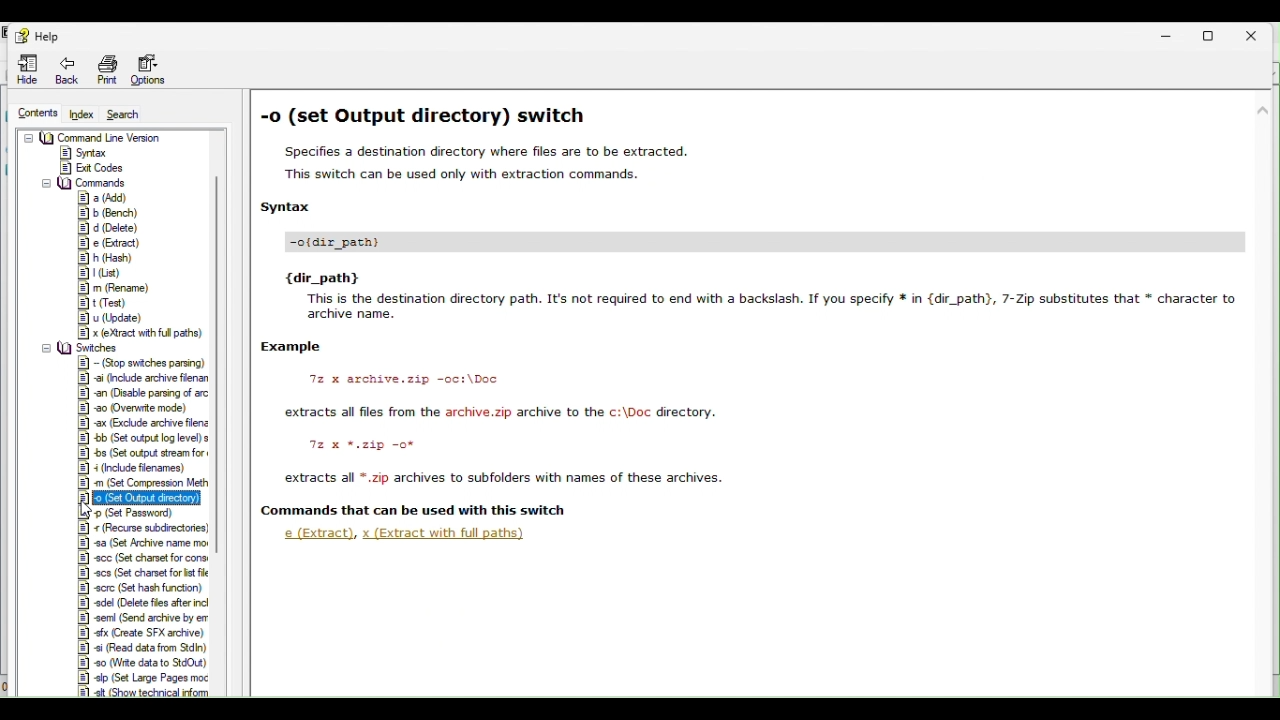  Describe the element at coordinates (143, 484) in the screenshot. I see `Set compression method` at that location.